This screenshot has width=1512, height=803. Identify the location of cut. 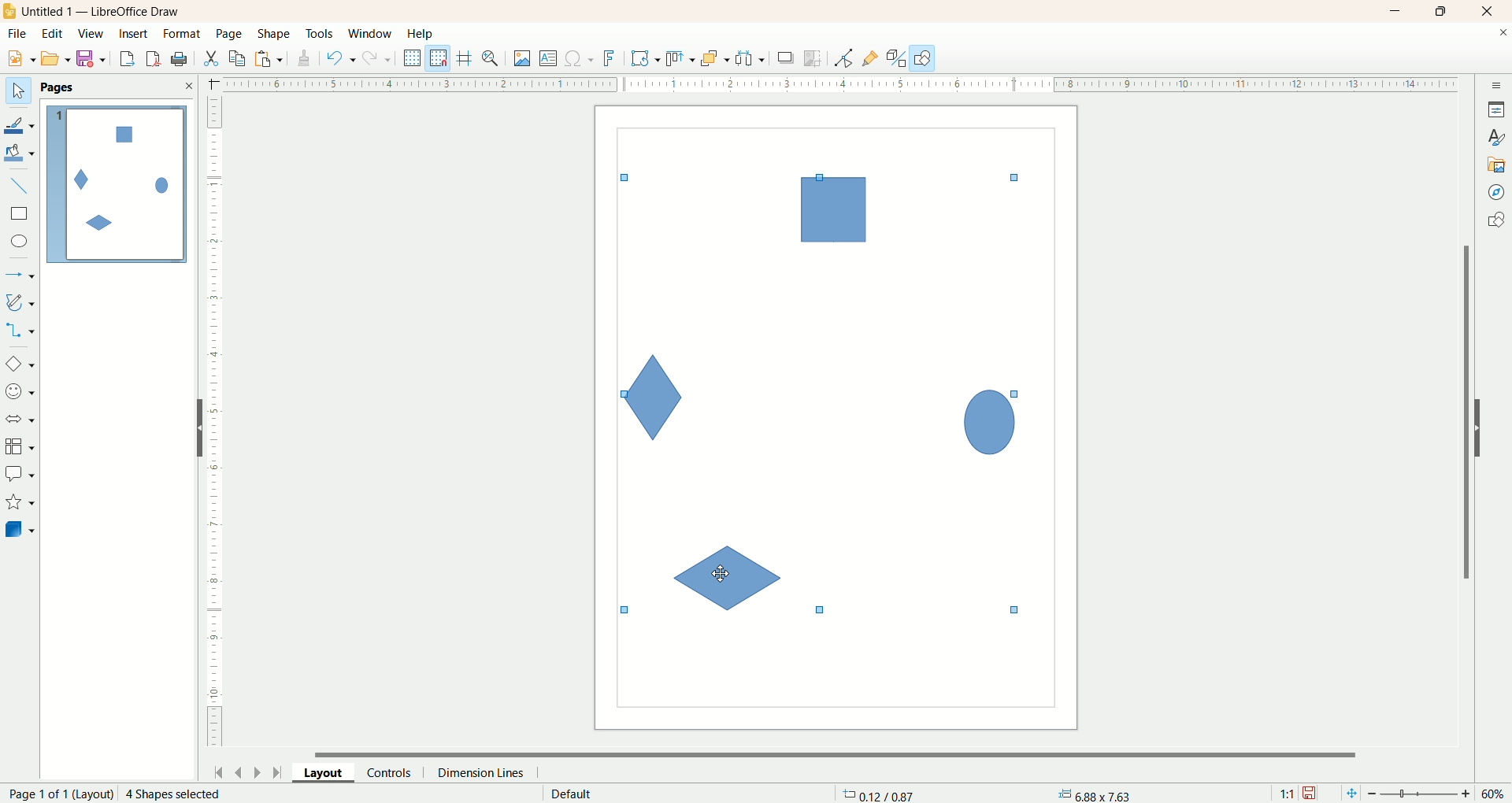
(210, 58).